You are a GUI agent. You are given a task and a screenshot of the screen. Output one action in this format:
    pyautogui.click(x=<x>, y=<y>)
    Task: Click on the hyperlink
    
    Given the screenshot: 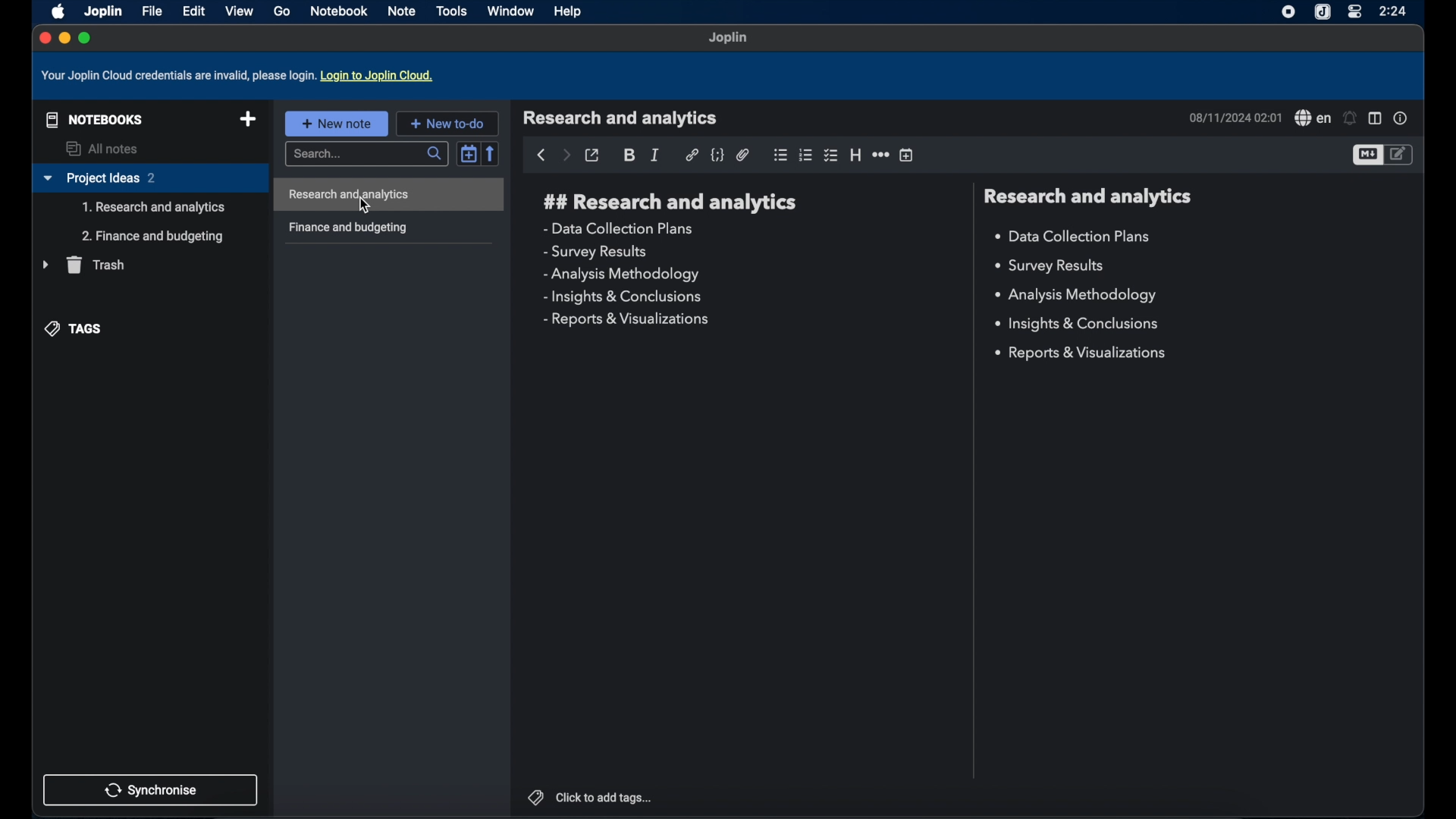 What is the action you would take?
    pyautogui.click(x=692, y=155)
    